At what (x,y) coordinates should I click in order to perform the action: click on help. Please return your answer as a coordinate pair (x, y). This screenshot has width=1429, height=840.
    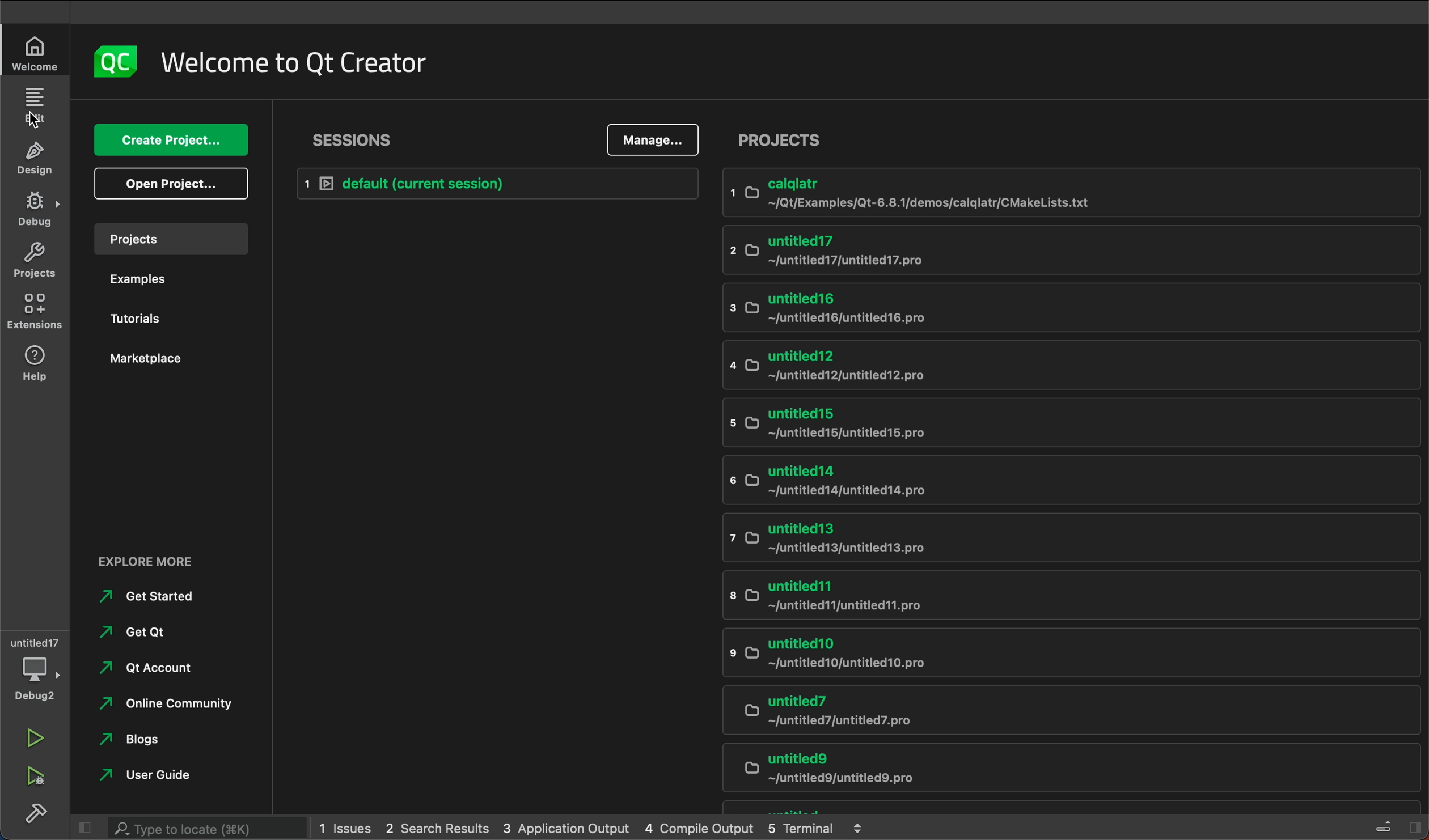
    Looking at the image, I should click on (36, 366).